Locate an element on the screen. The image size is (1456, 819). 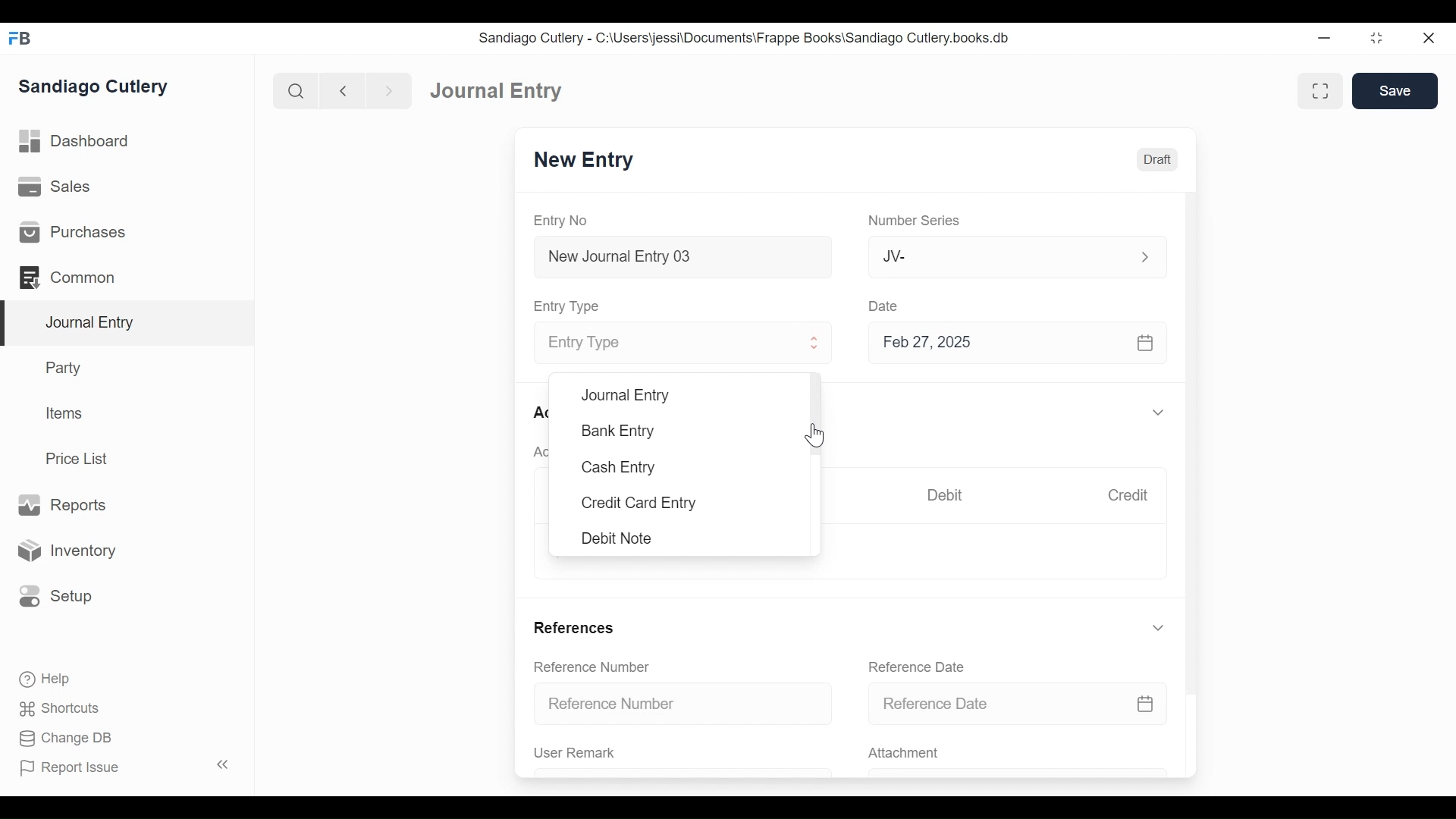
New Entry is located at coordinates (585, 161).